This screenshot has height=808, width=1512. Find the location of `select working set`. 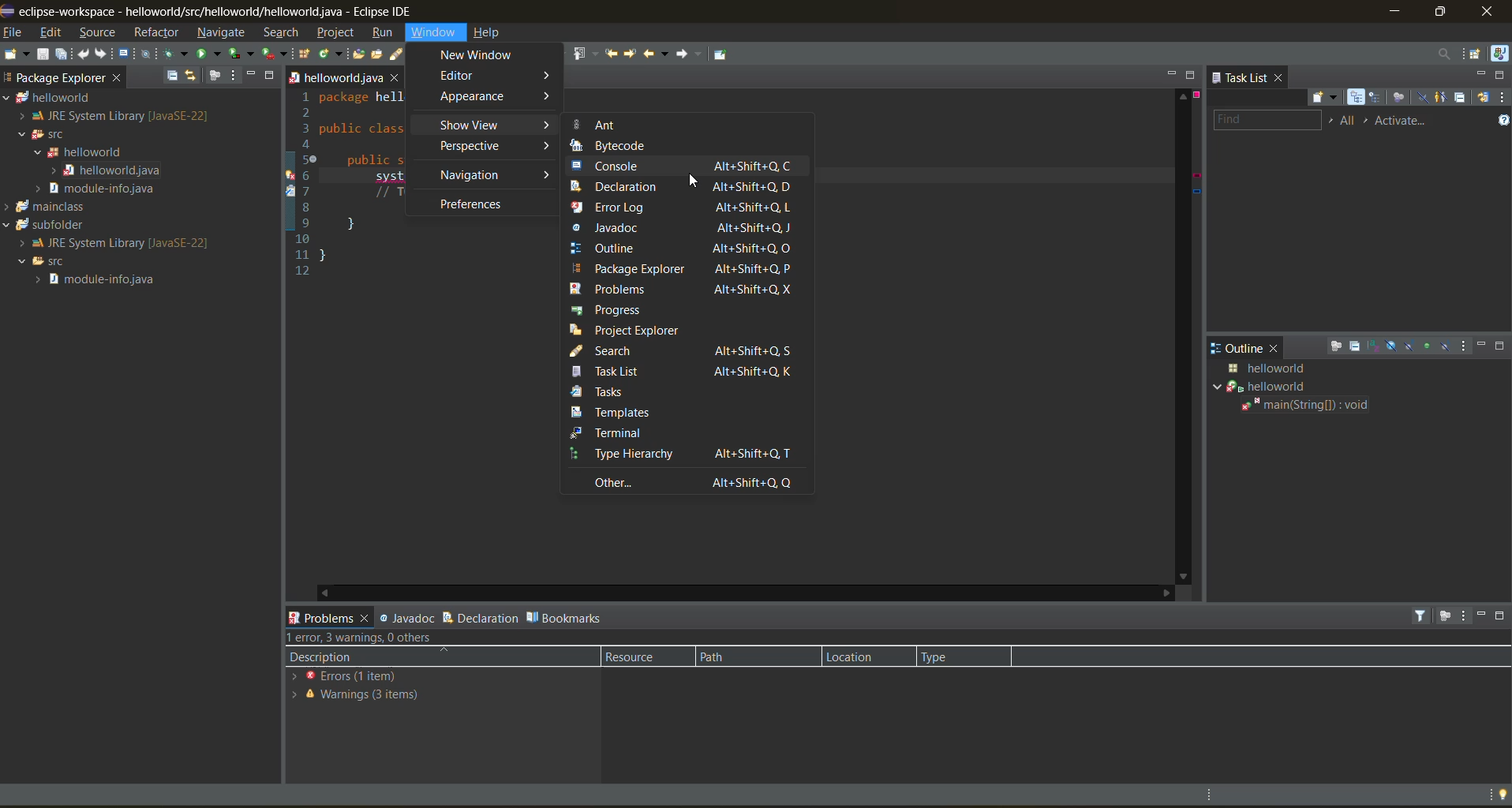

select working set is located at coordinates (1331, 122).